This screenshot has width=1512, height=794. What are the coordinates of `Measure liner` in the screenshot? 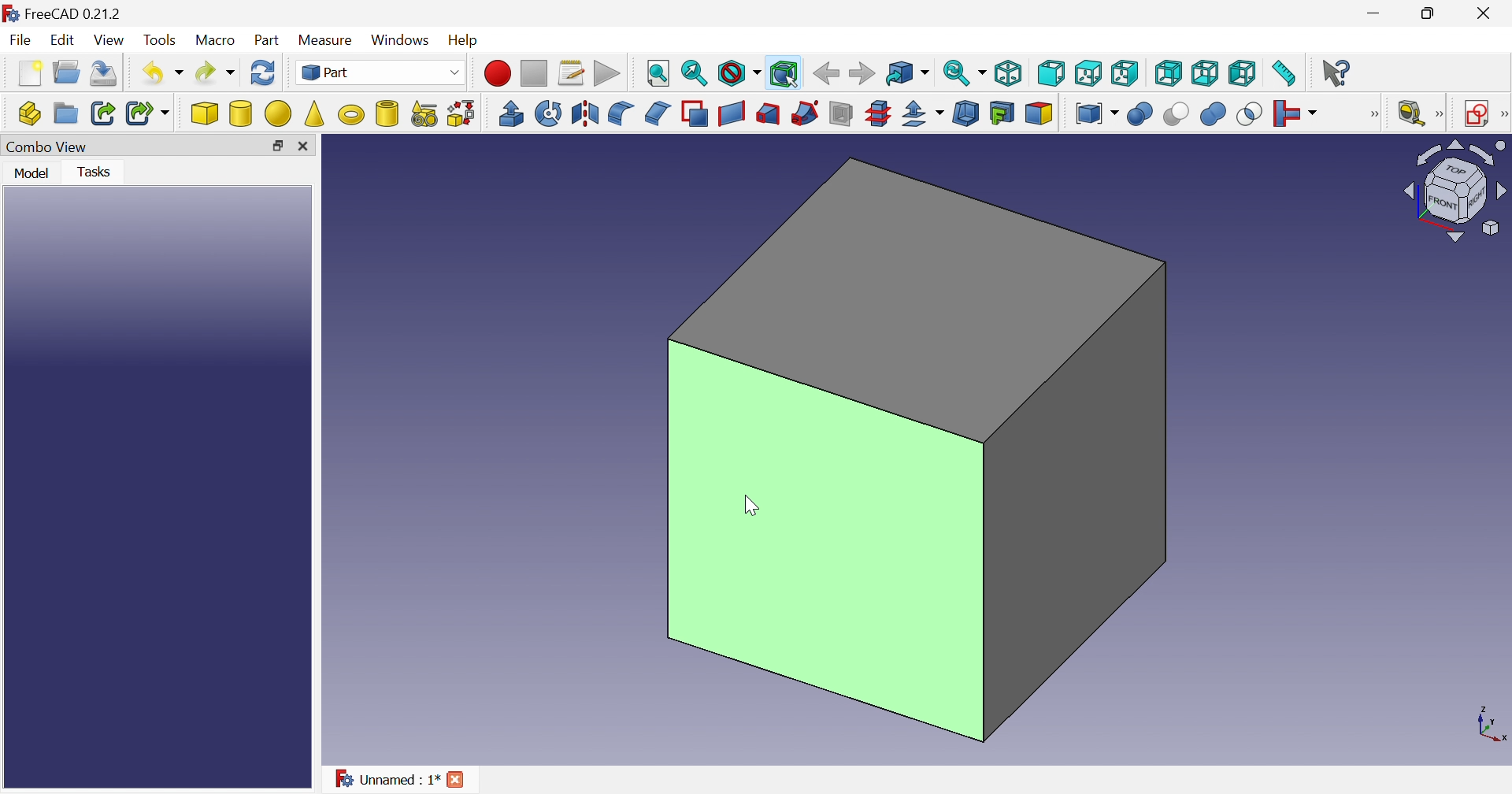 It's located at (1410, 114).